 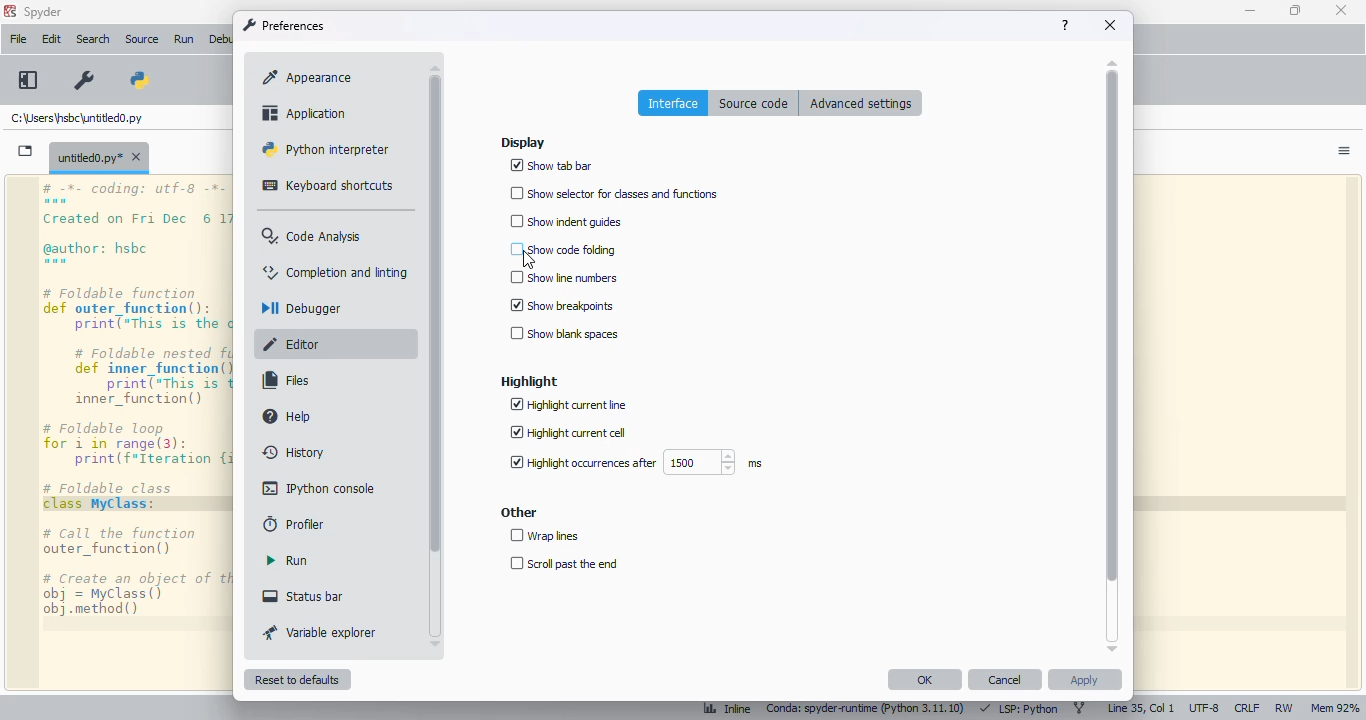 What do you see at coordinates (187, 40) in the screenshot?
I see `Run` at bounding box center [187, 40].